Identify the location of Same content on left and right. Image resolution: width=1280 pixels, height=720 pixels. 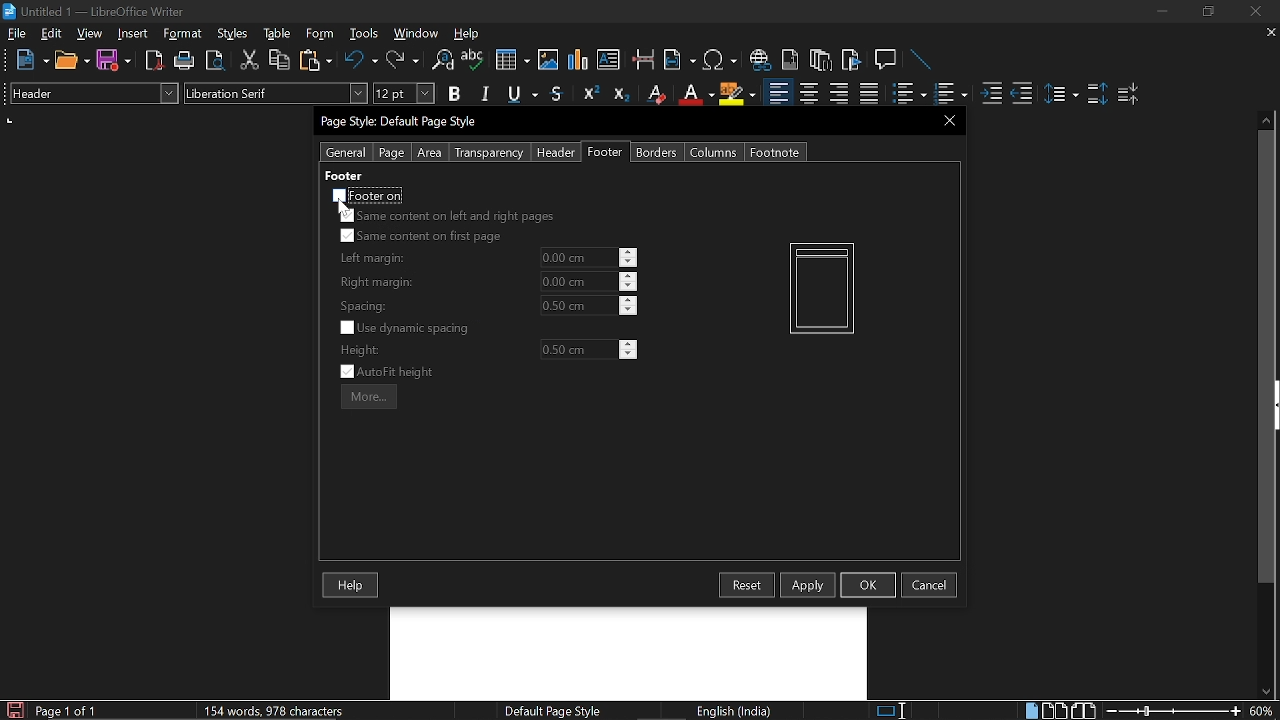
(446, 218).